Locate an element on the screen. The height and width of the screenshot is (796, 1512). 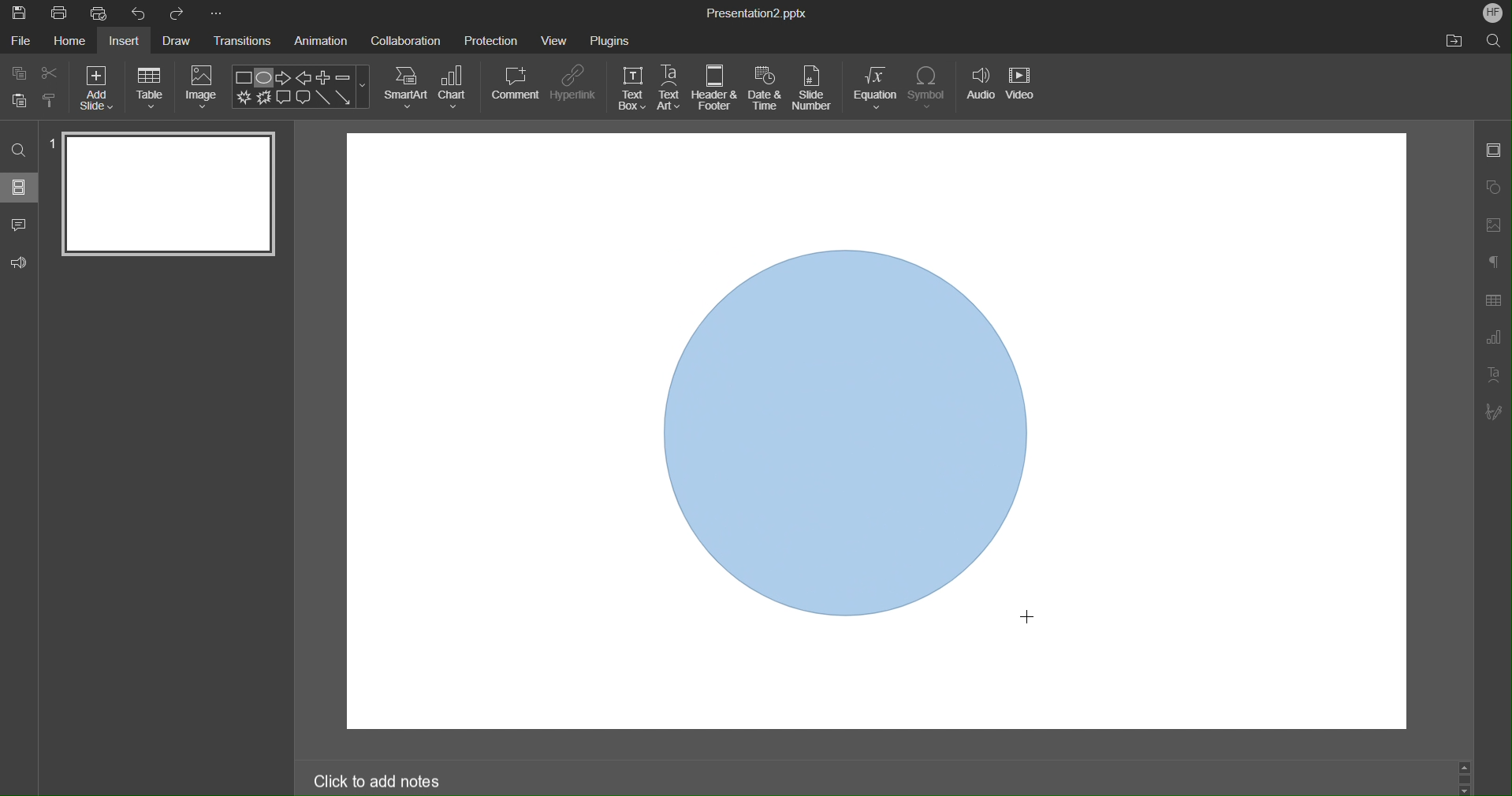
Signature is located at coordinates (1494, 413).